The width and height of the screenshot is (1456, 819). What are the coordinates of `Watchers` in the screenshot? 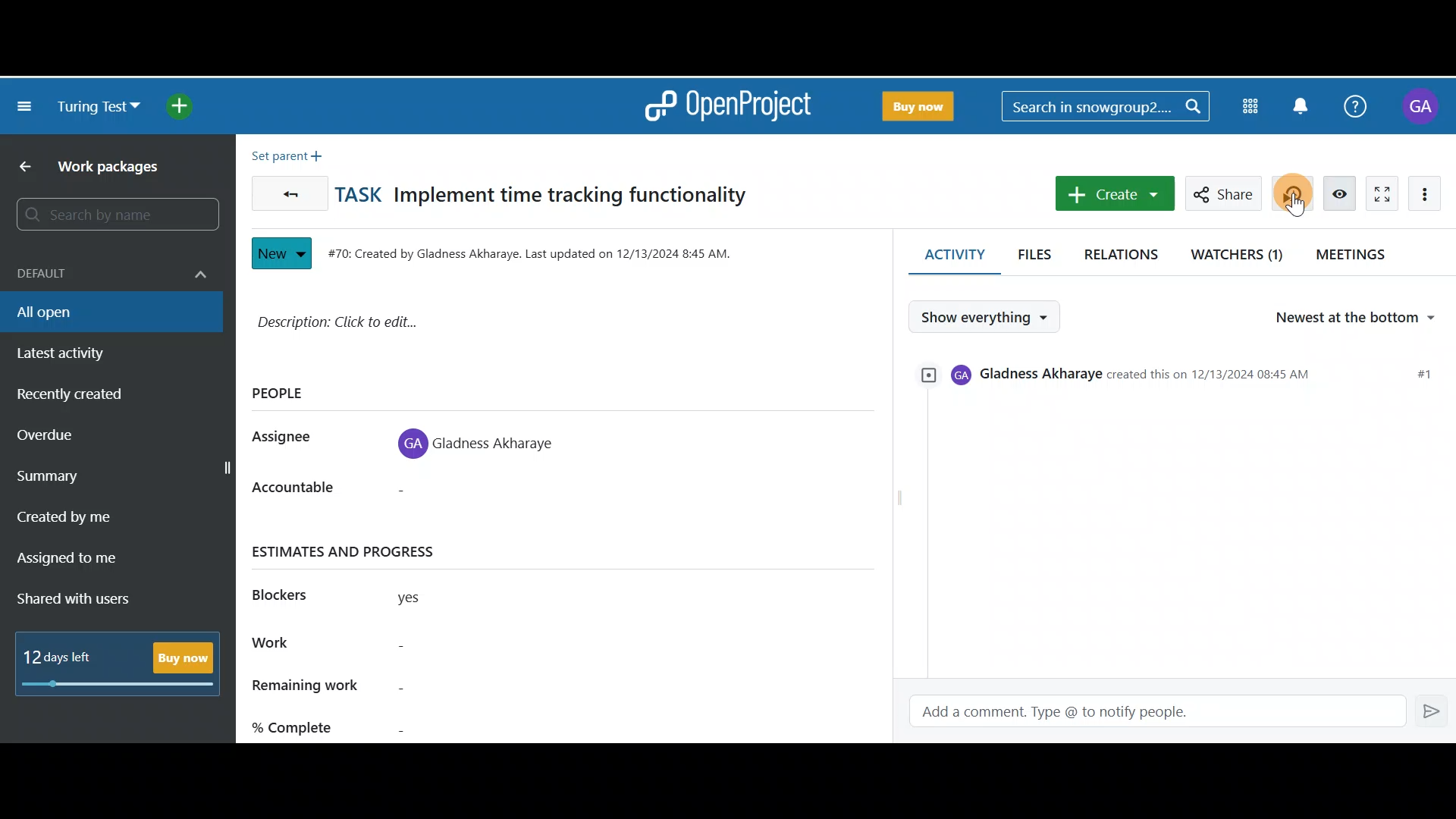 It's located at (1238, 252).